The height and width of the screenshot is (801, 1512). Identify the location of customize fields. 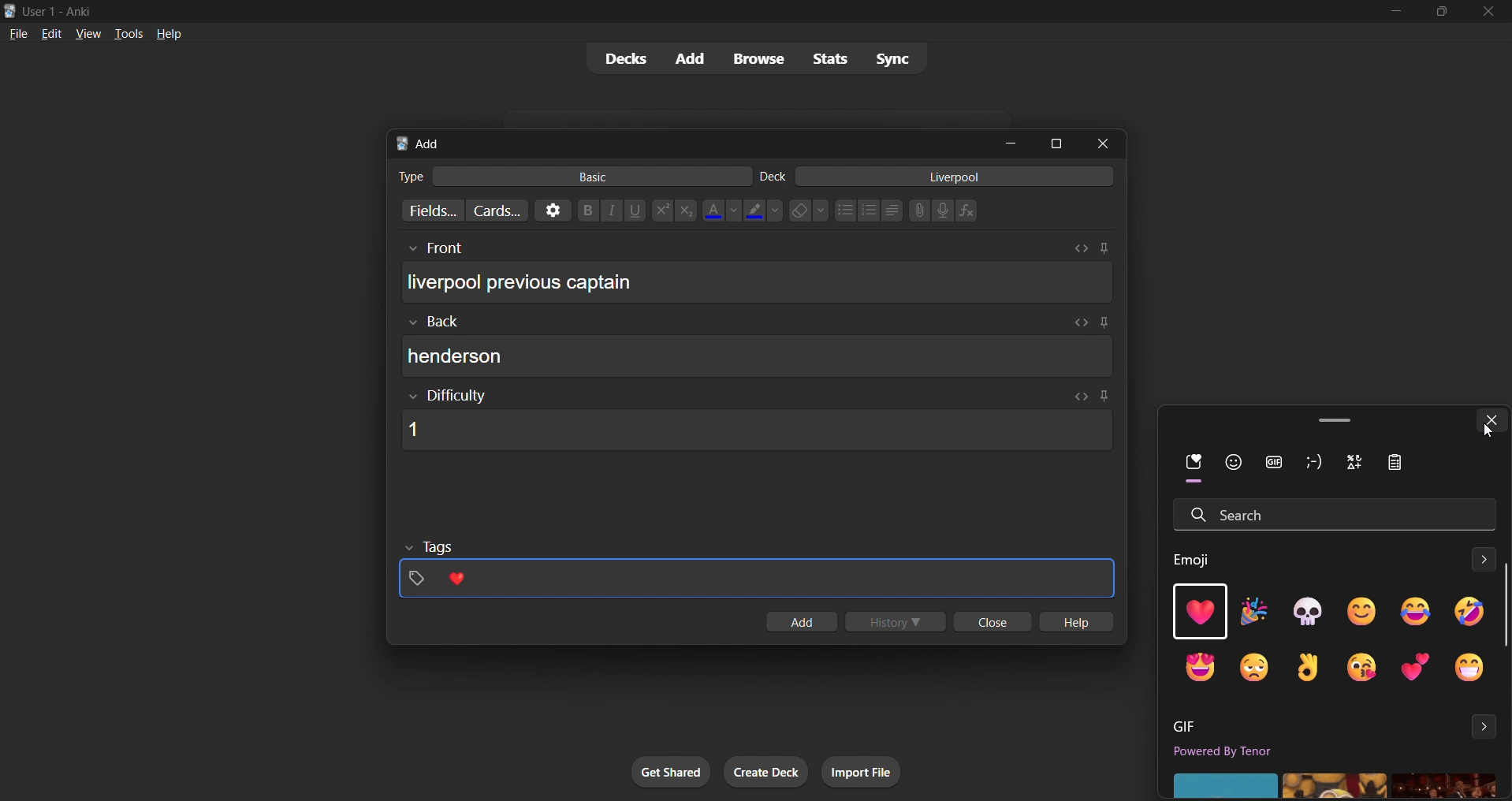
(425, 212).